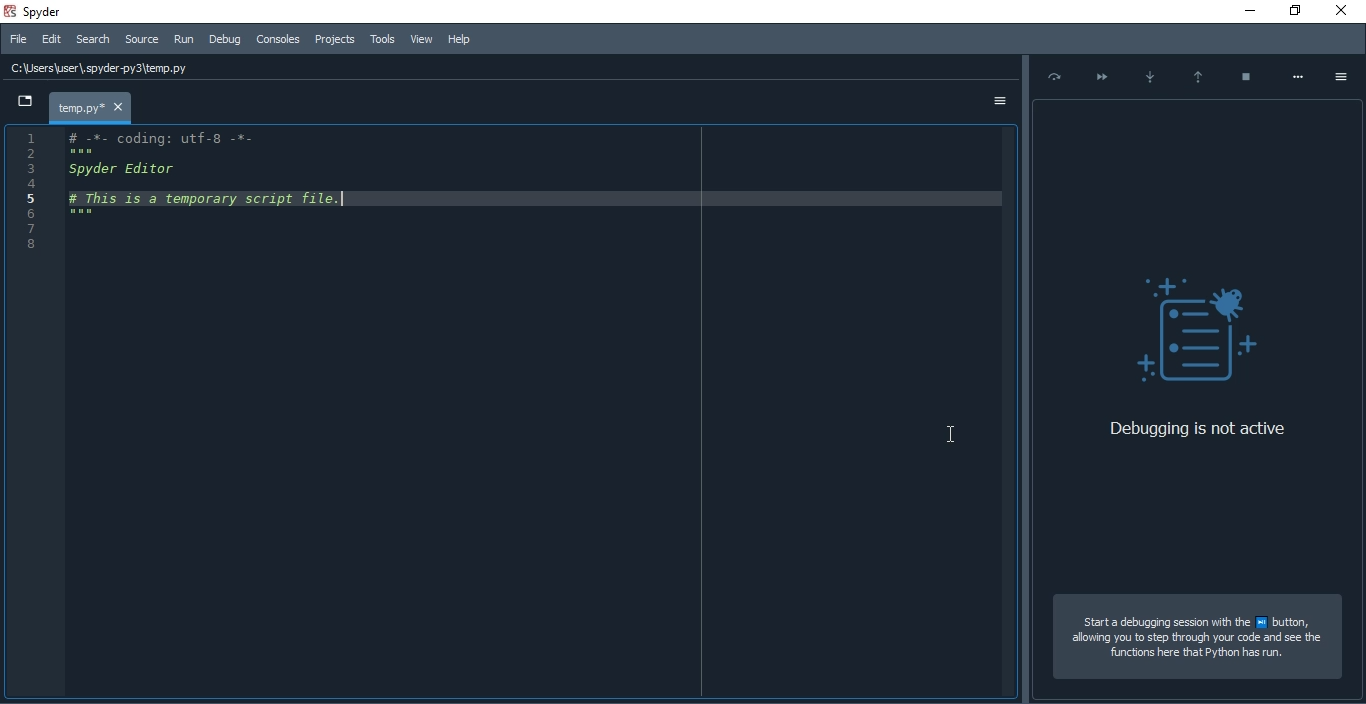 The height and width of the screenshot is (704, 1366). What do you see at coordinates (276, 39) in the screenshot?
I see `Consoles` at bounding box center [276, 39].